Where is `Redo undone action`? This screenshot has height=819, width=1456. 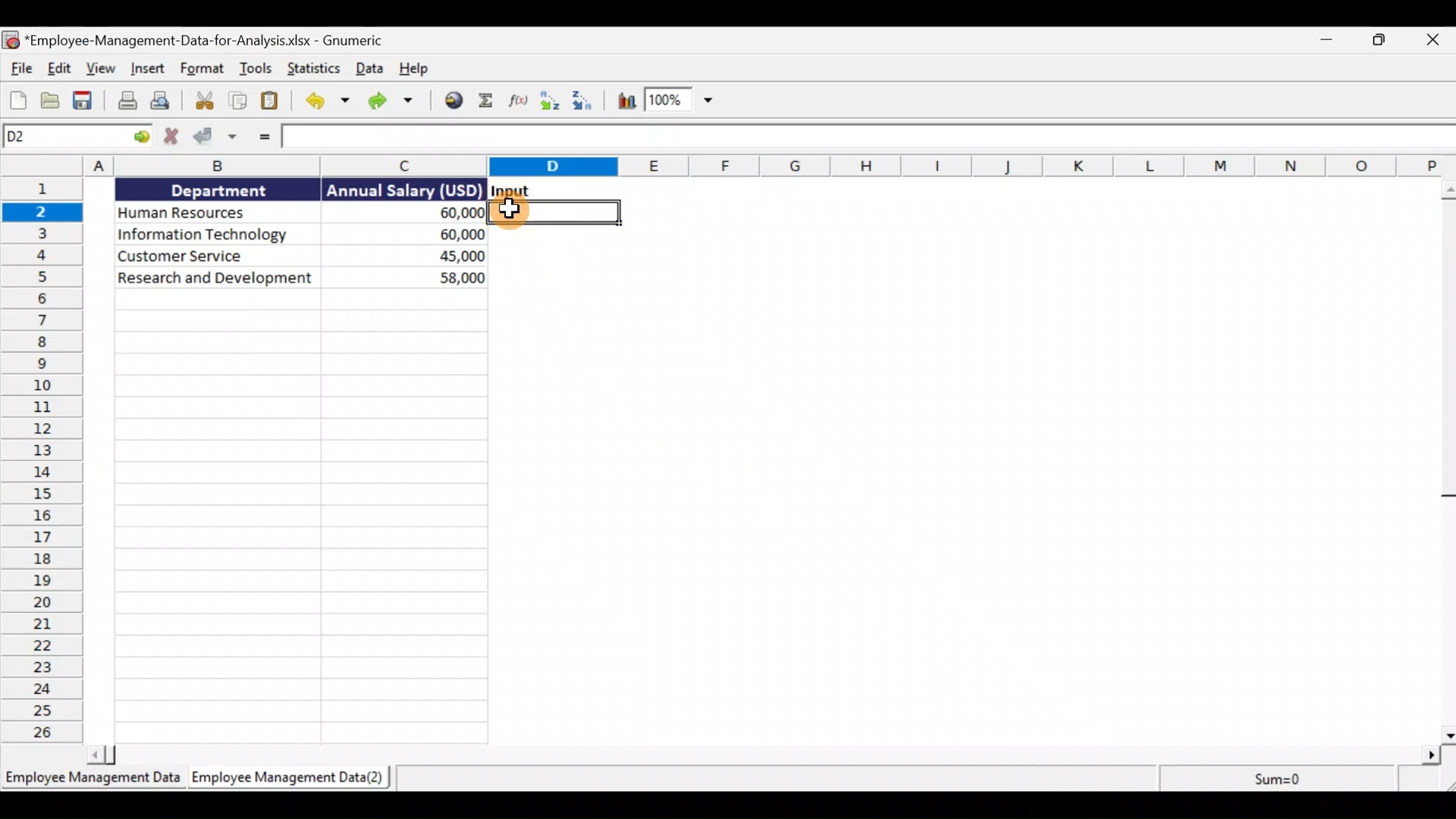
Redo undone action is located at coordinates (397, 103).